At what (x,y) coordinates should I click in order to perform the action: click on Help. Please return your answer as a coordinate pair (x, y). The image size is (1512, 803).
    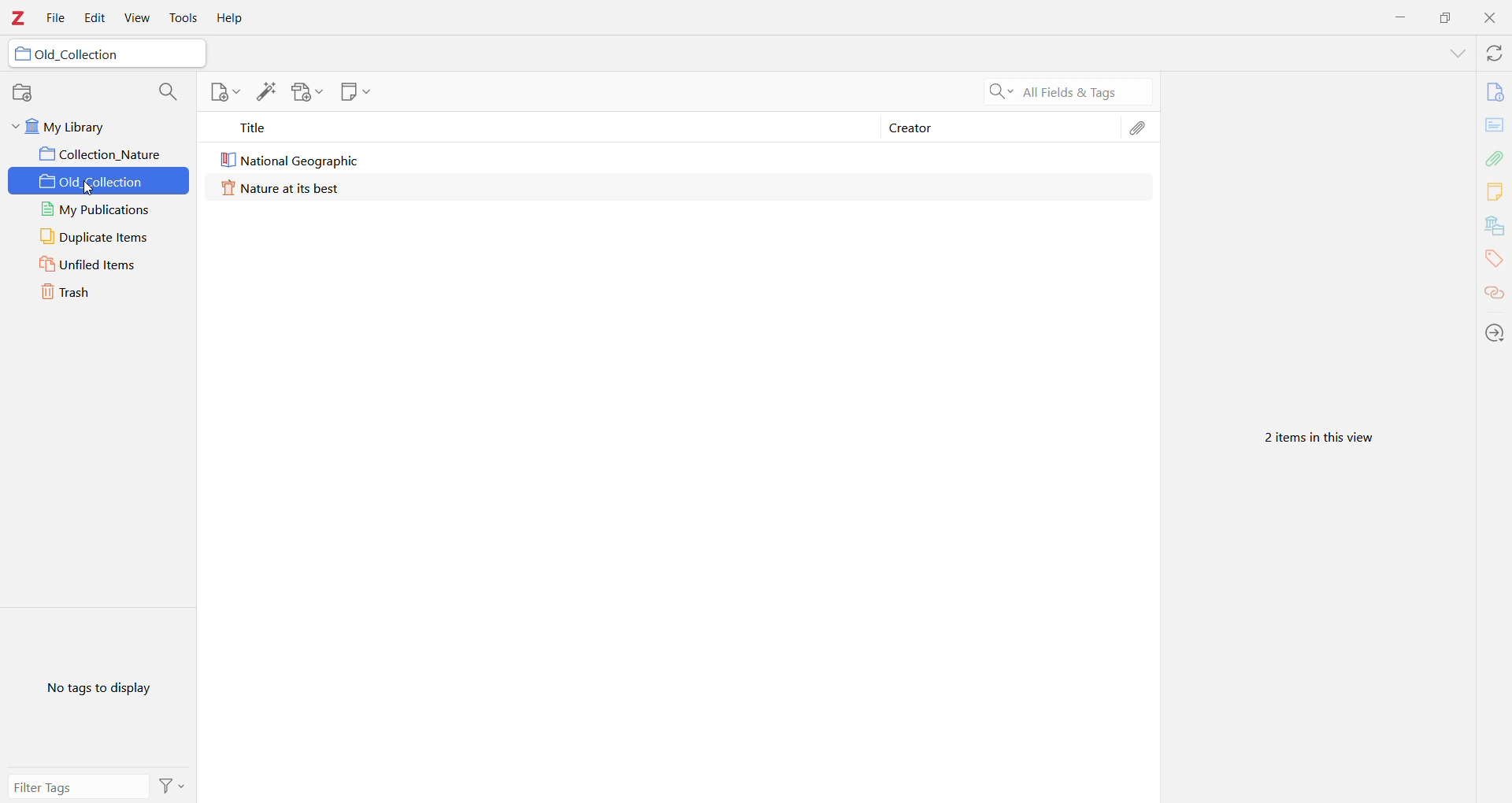
    Looking at the image, I should click on (231, 18).